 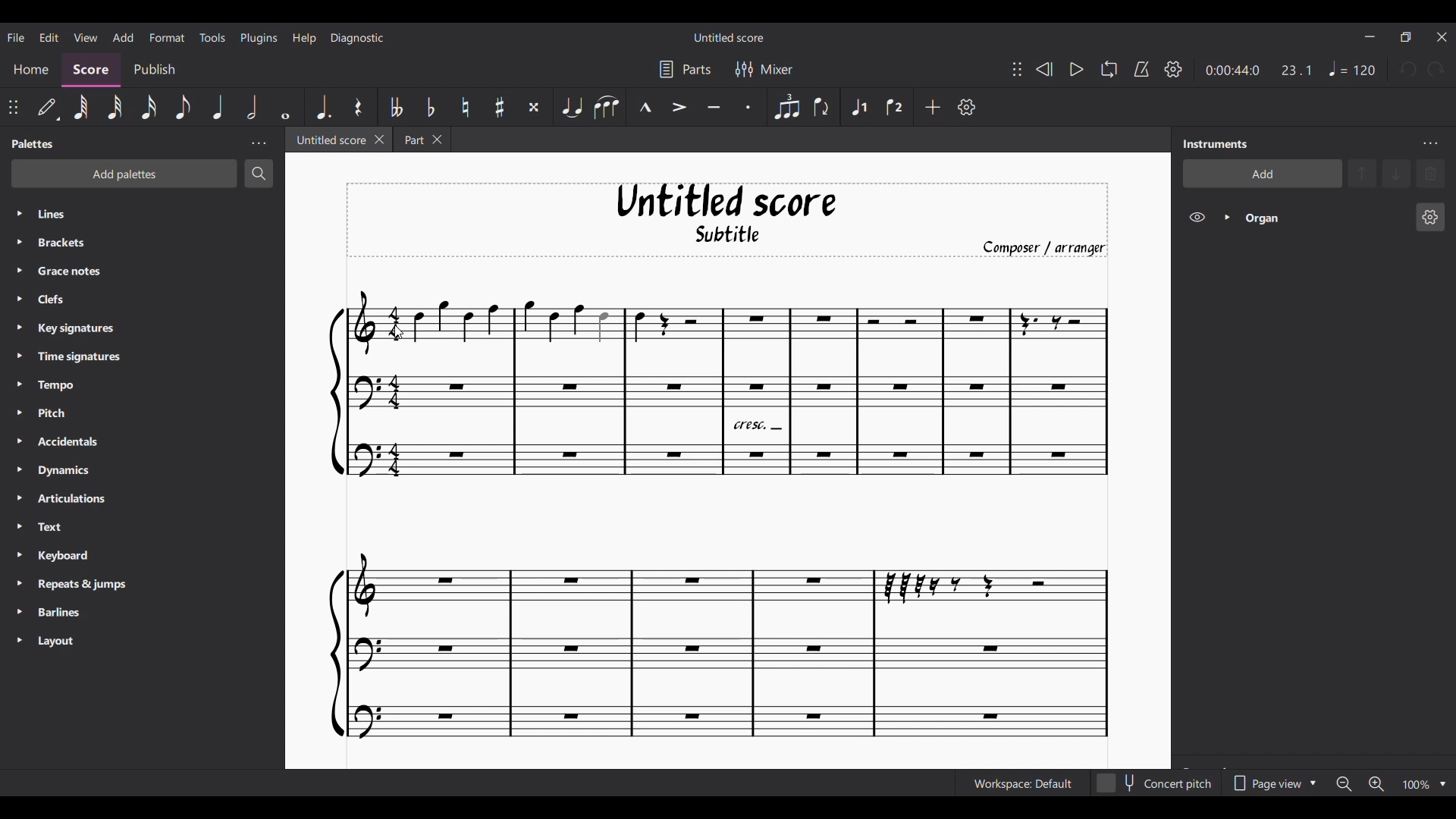 What do you see at coordinates (1017, 69) in the screenshot?
I see `Change position of toolbar attached` at bounding box center [1017, 69].